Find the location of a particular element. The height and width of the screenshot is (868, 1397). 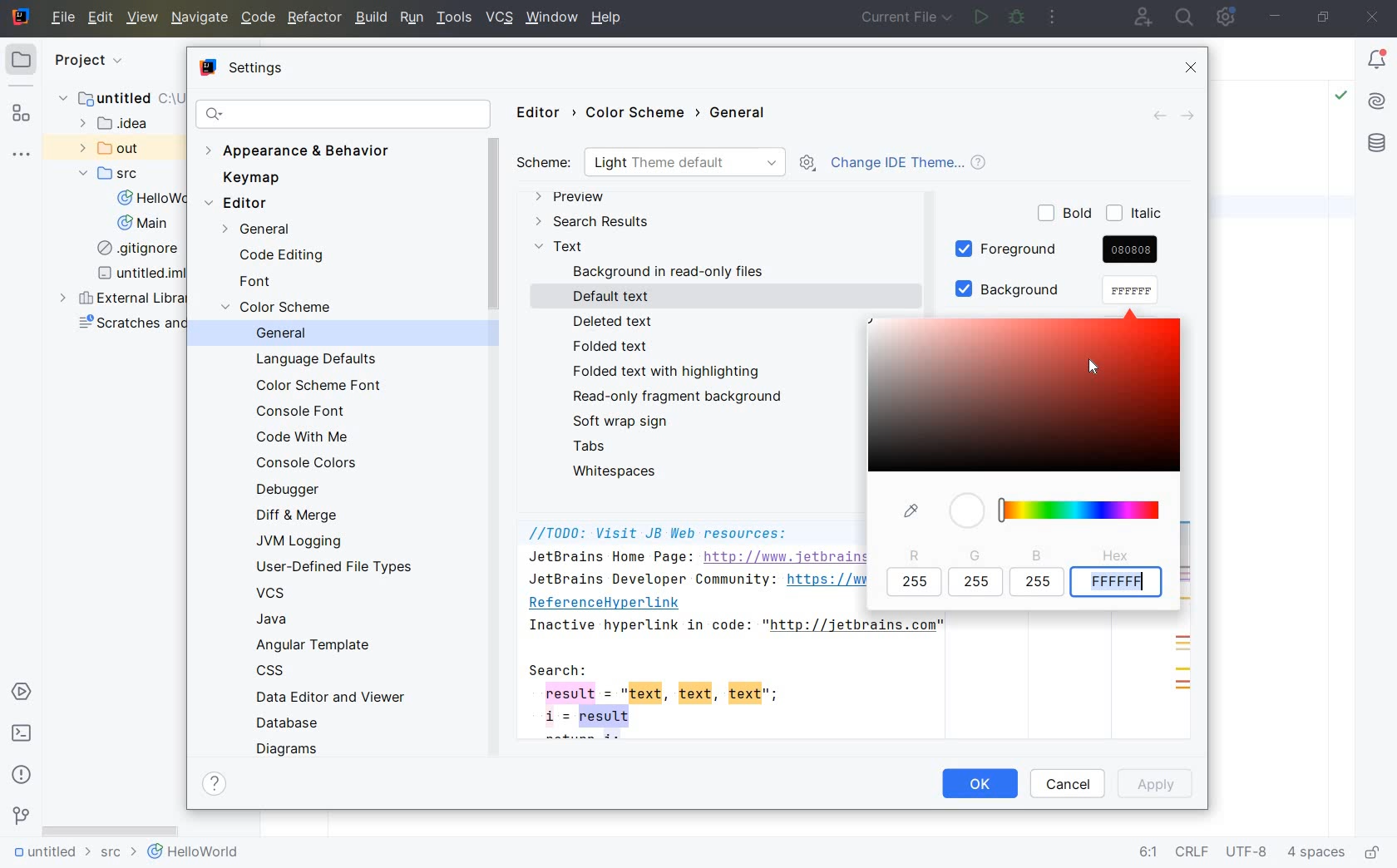

SRC is located at coordinates (111, 174).